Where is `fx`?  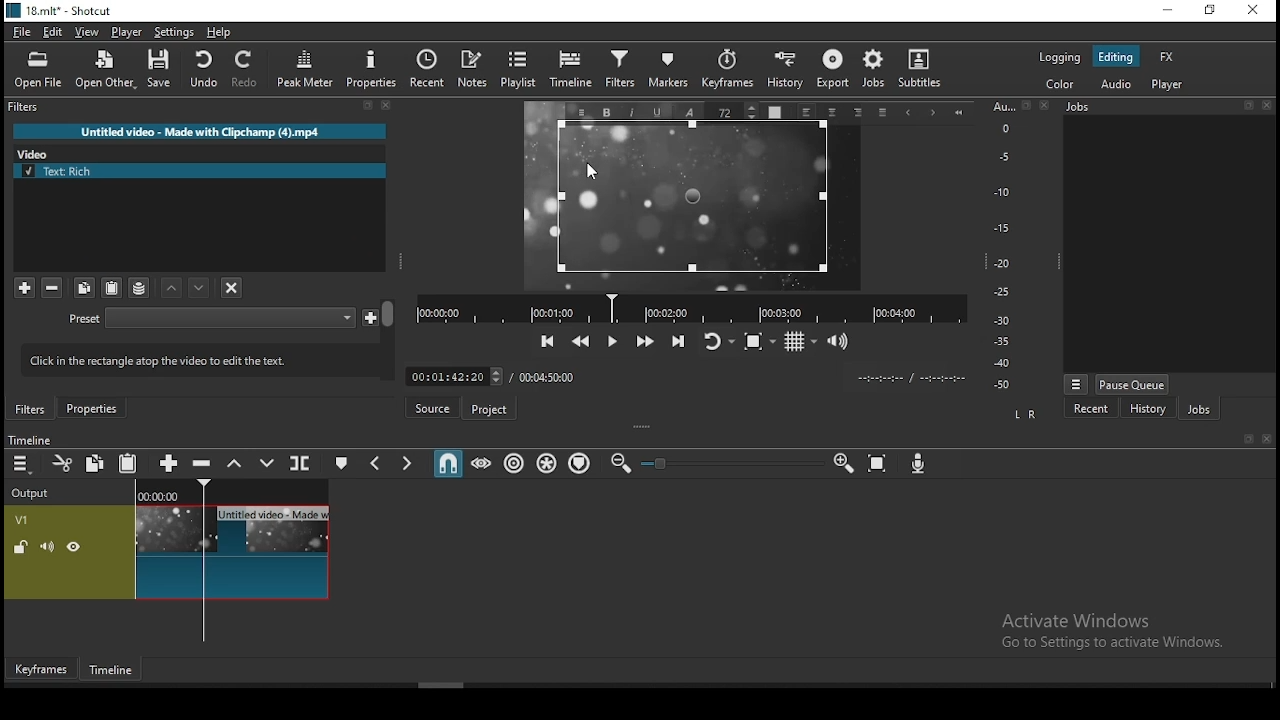
fx is located at coordinates (1168, 56).